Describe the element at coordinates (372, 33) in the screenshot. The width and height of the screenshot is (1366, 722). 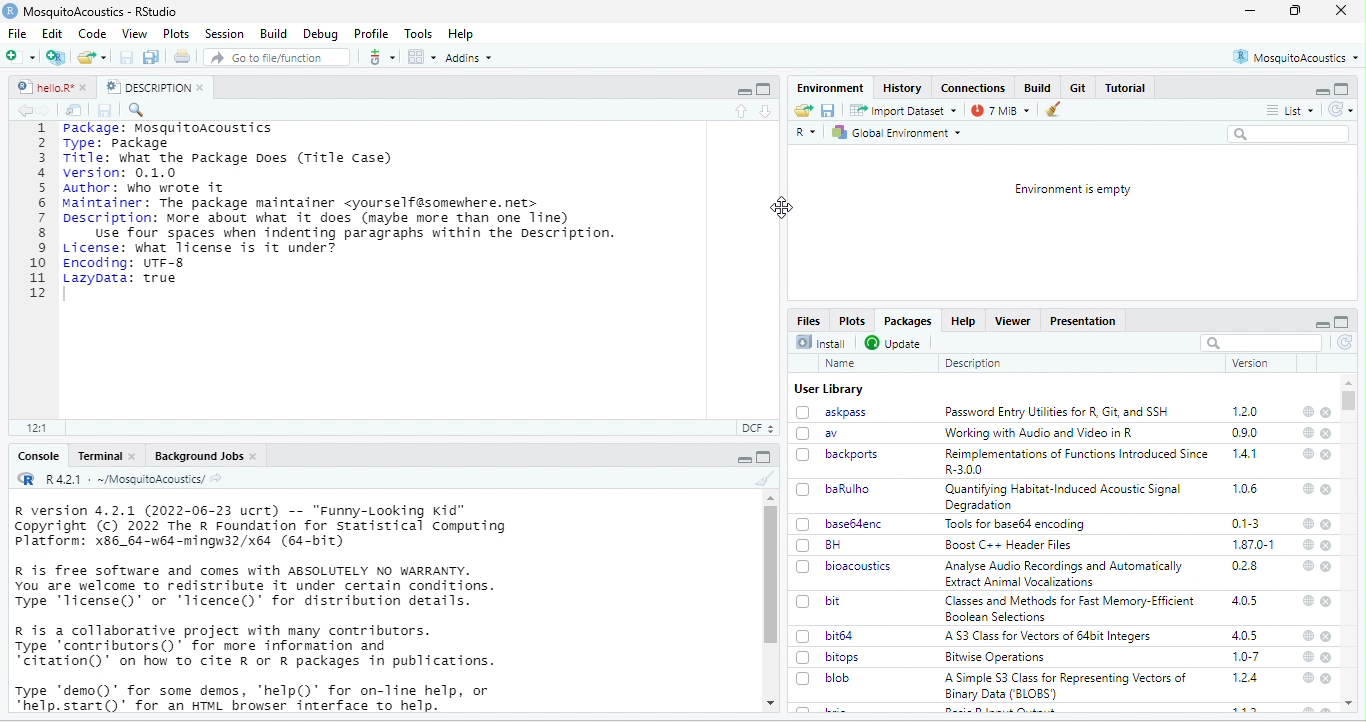
I see `Profile` at that location.